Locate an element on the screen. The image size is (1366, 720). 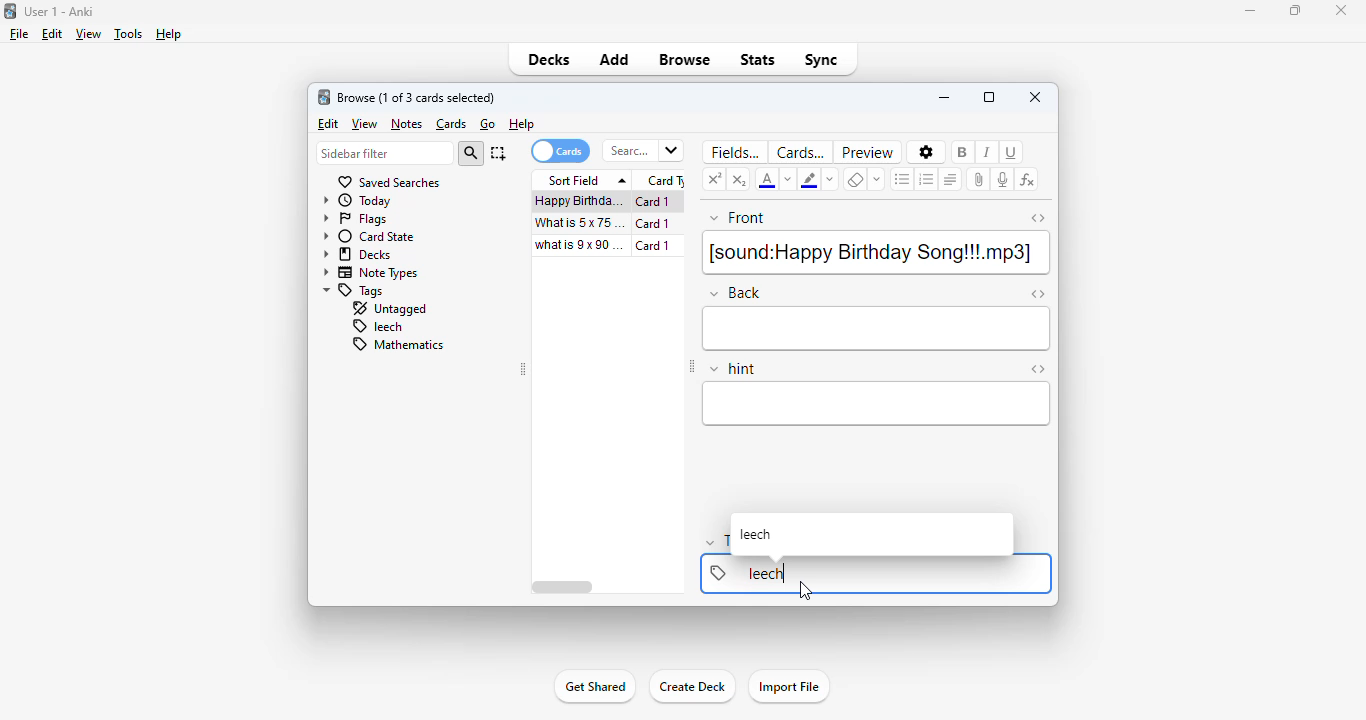
close is located at coordinates (1340, 9).